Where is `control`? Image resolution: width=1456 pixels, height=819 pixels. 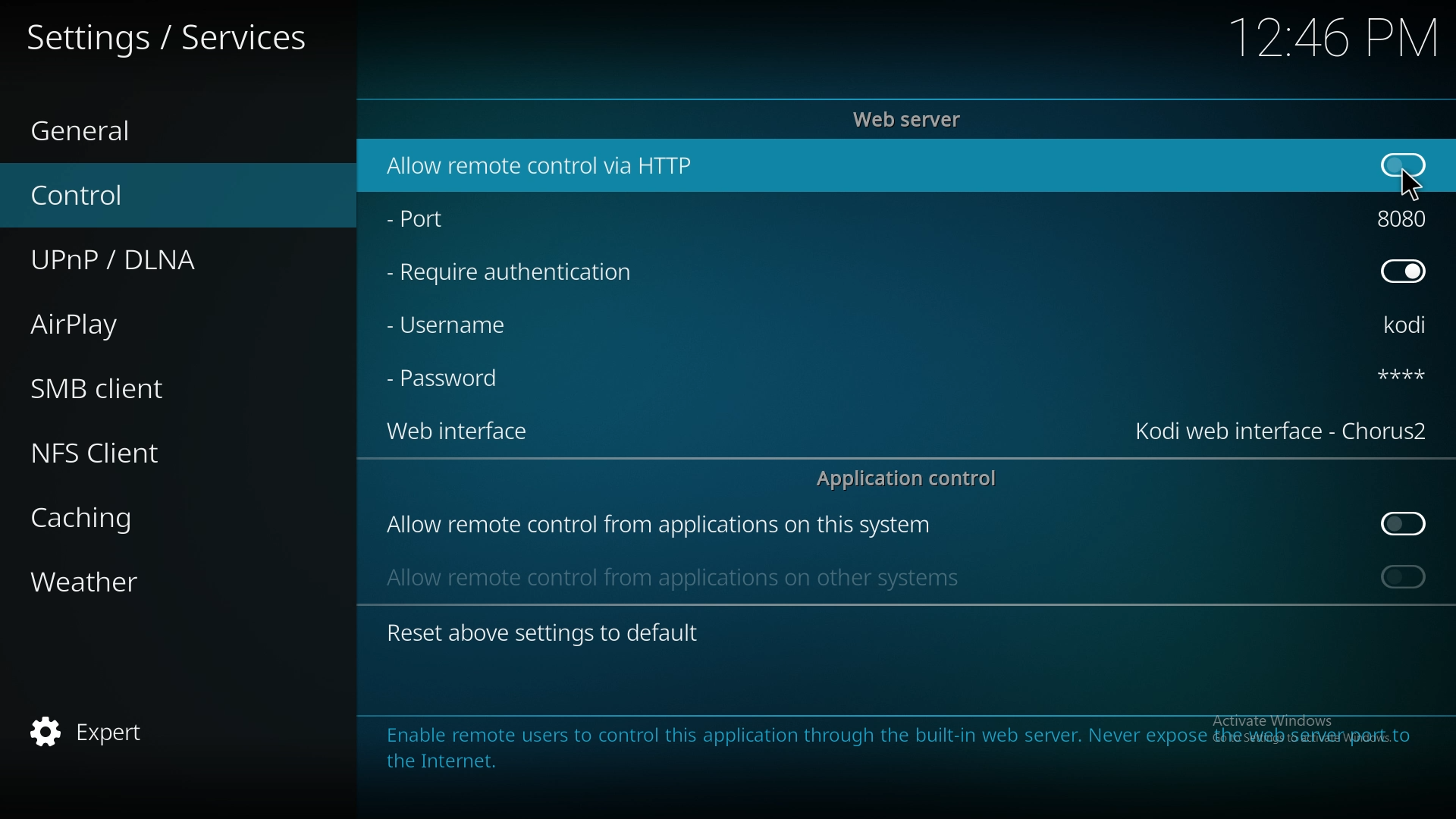 control is located at coordinates (146, 193).